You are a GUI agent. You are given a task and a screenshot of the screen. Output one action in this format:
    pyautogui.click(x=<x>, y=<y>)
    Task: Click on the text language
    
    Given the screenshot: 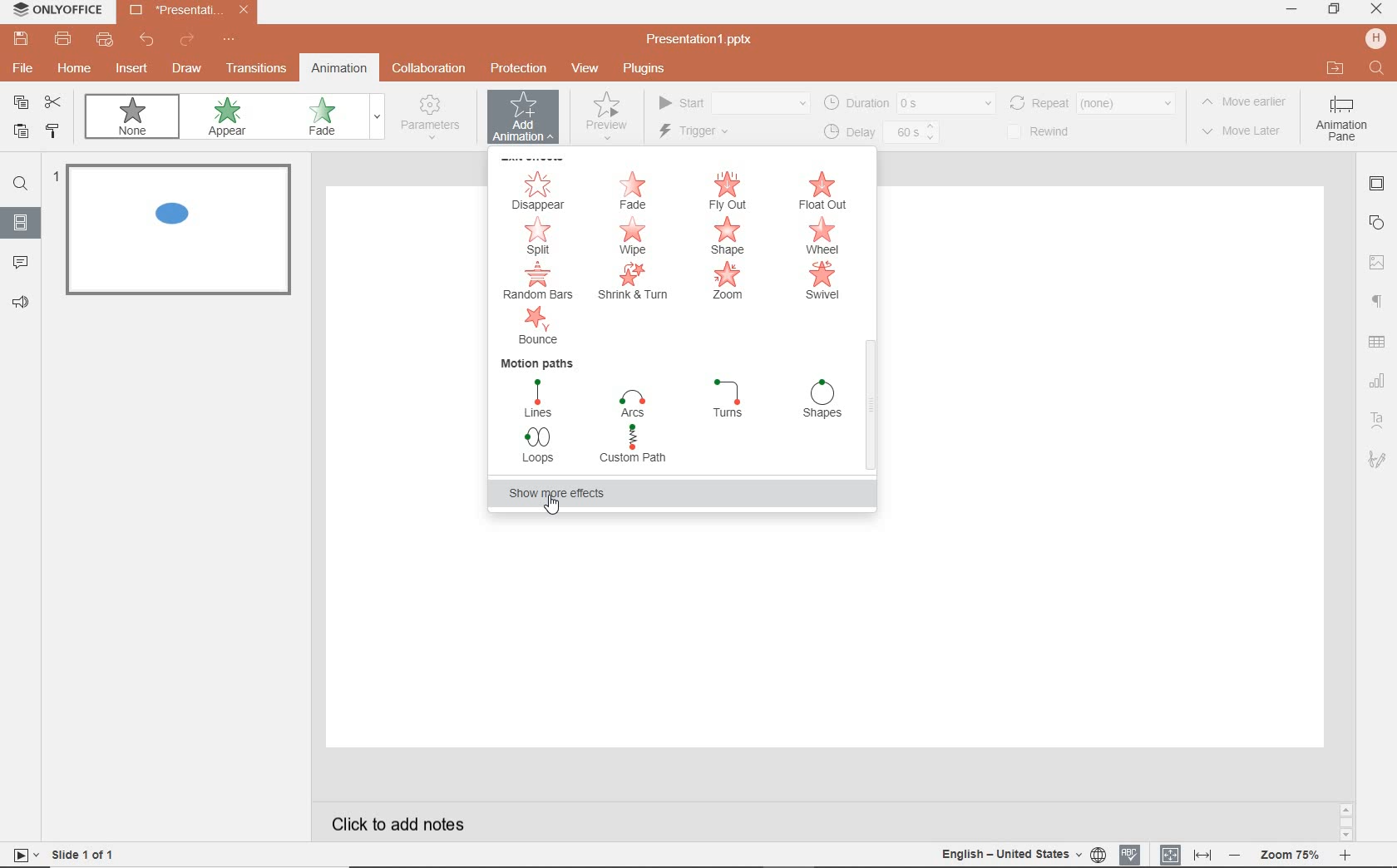 What is the action you would take?
    pyautogui.click(x=1019, y=856)
    